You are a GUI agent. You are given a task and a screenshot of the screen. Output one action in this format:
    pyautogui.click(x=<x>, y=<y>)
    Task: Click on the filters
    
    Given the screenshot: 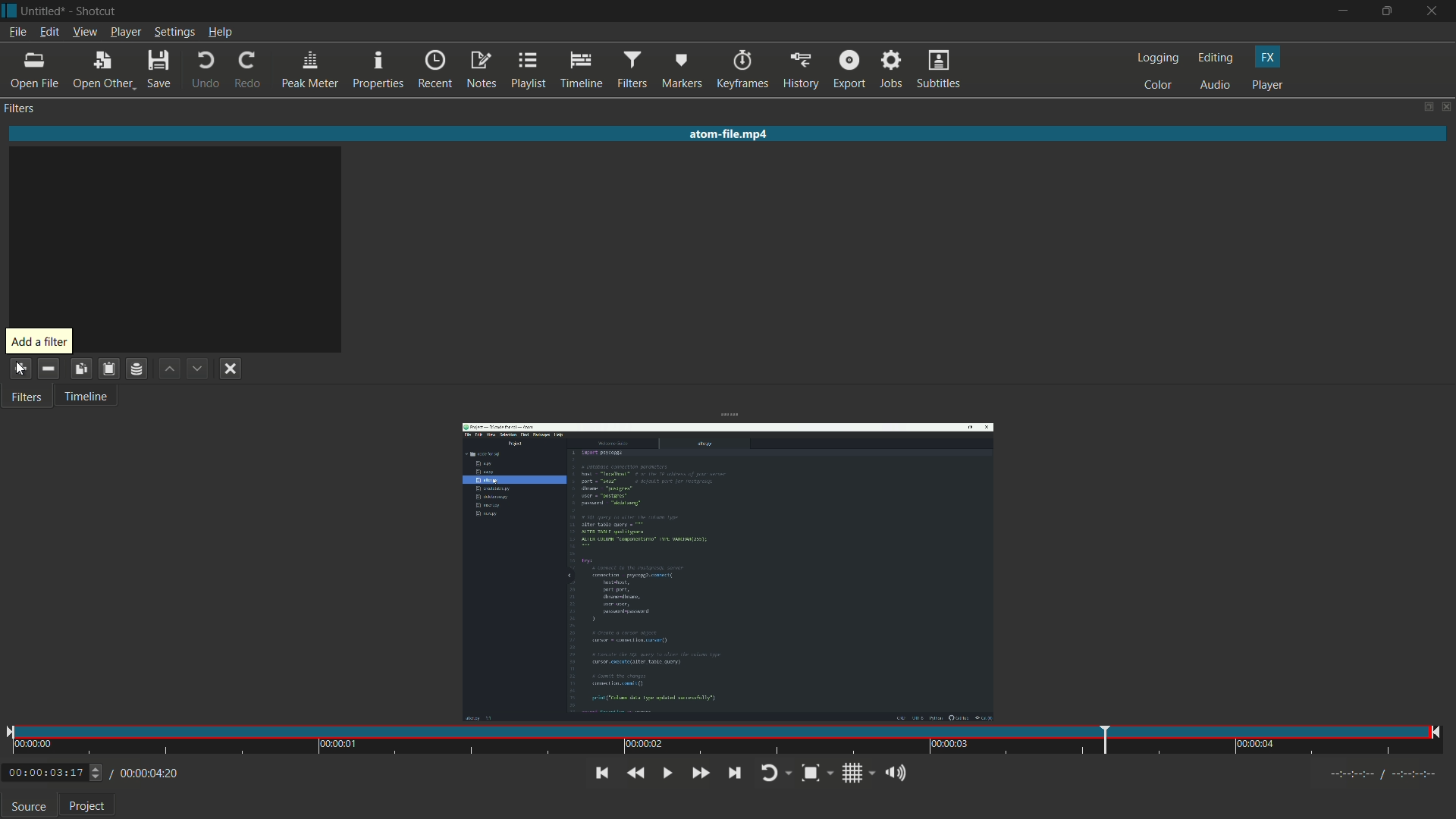 What is the action you would take?
    pyautogui.click(x=25, y=395)
    